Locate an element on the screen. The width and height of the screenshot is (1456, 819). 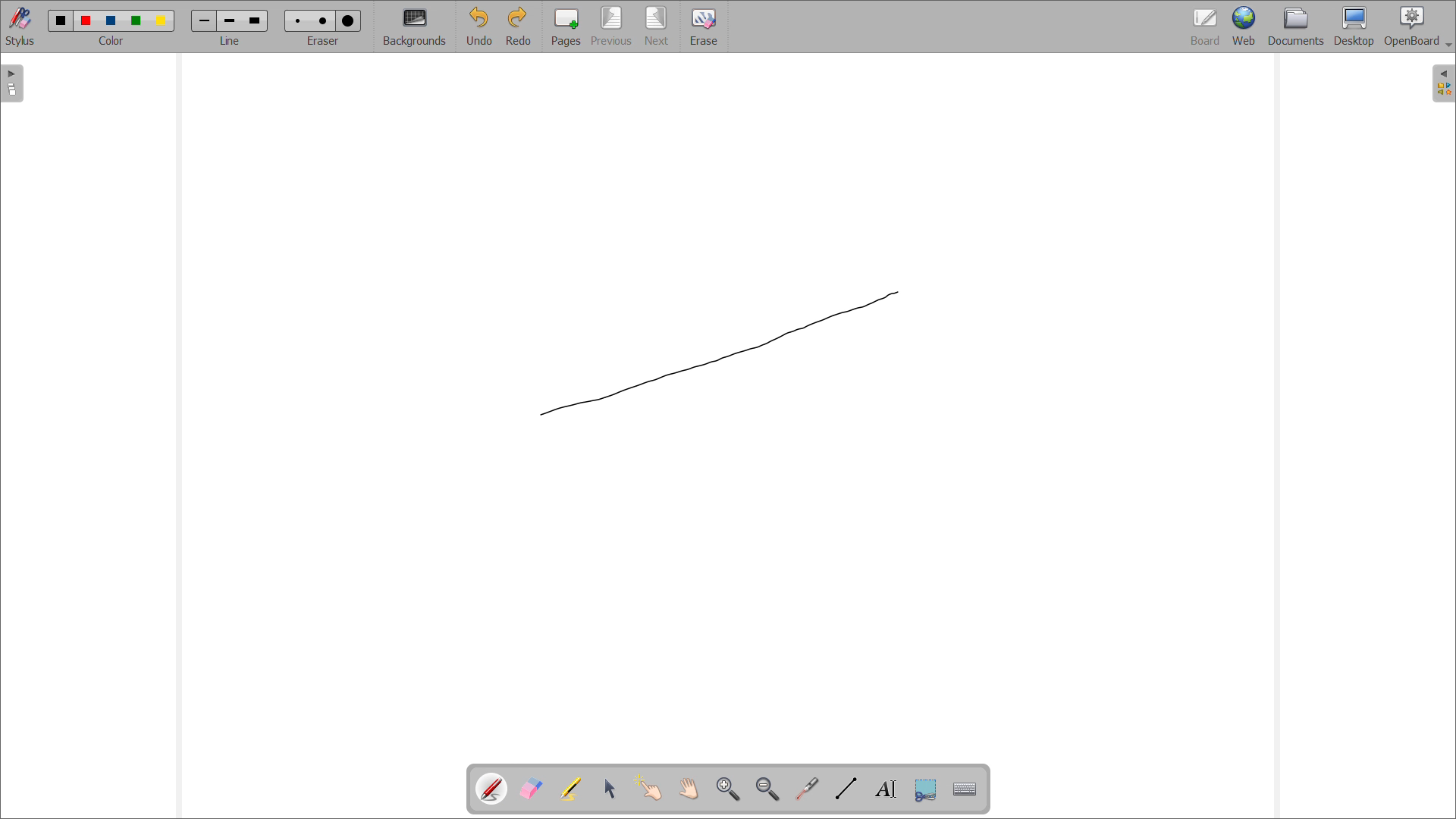
toggle stylus is located at coordinates (20, 26).